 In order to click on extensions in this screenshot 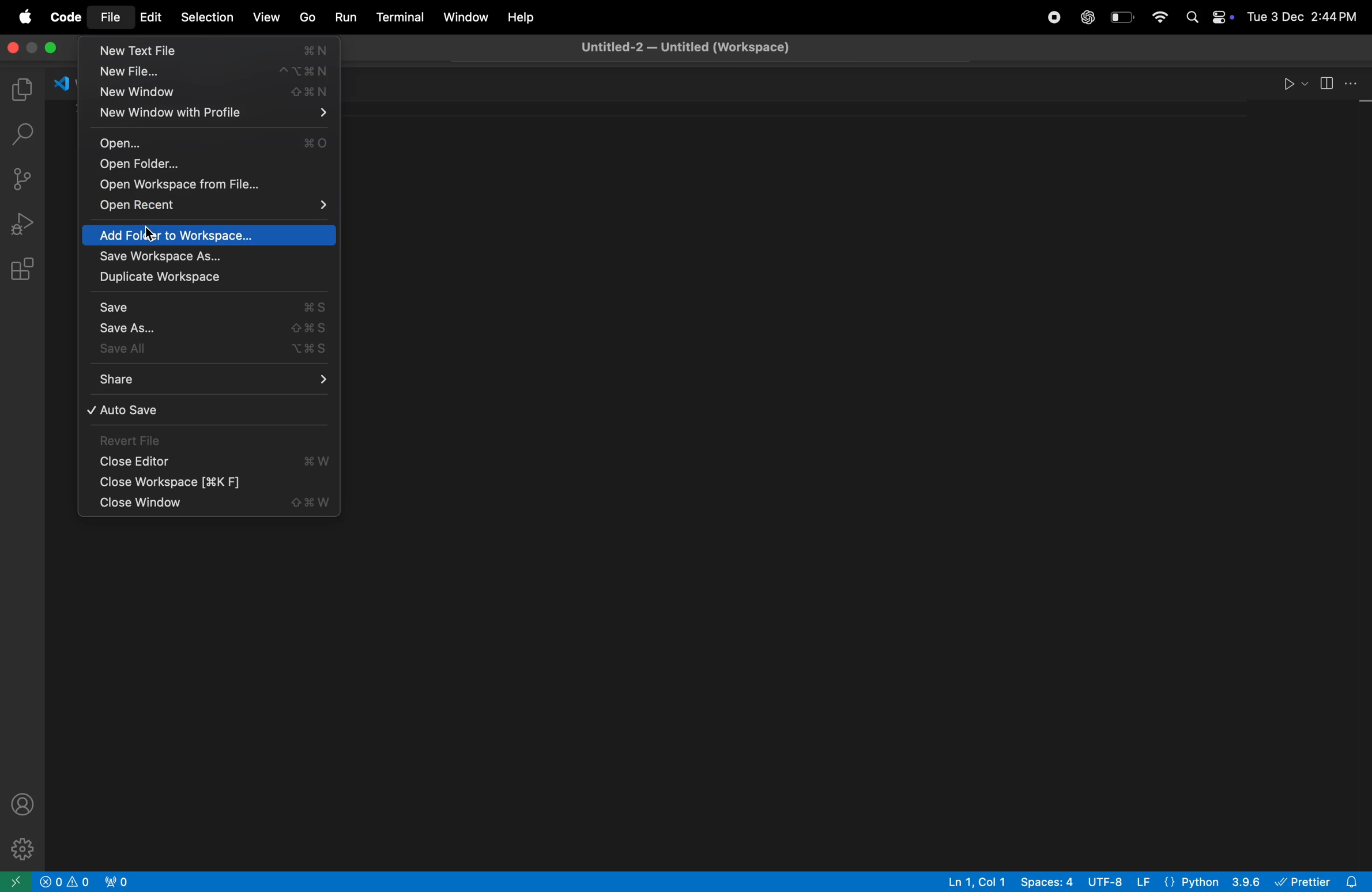, I will do `click(25, 271)`.